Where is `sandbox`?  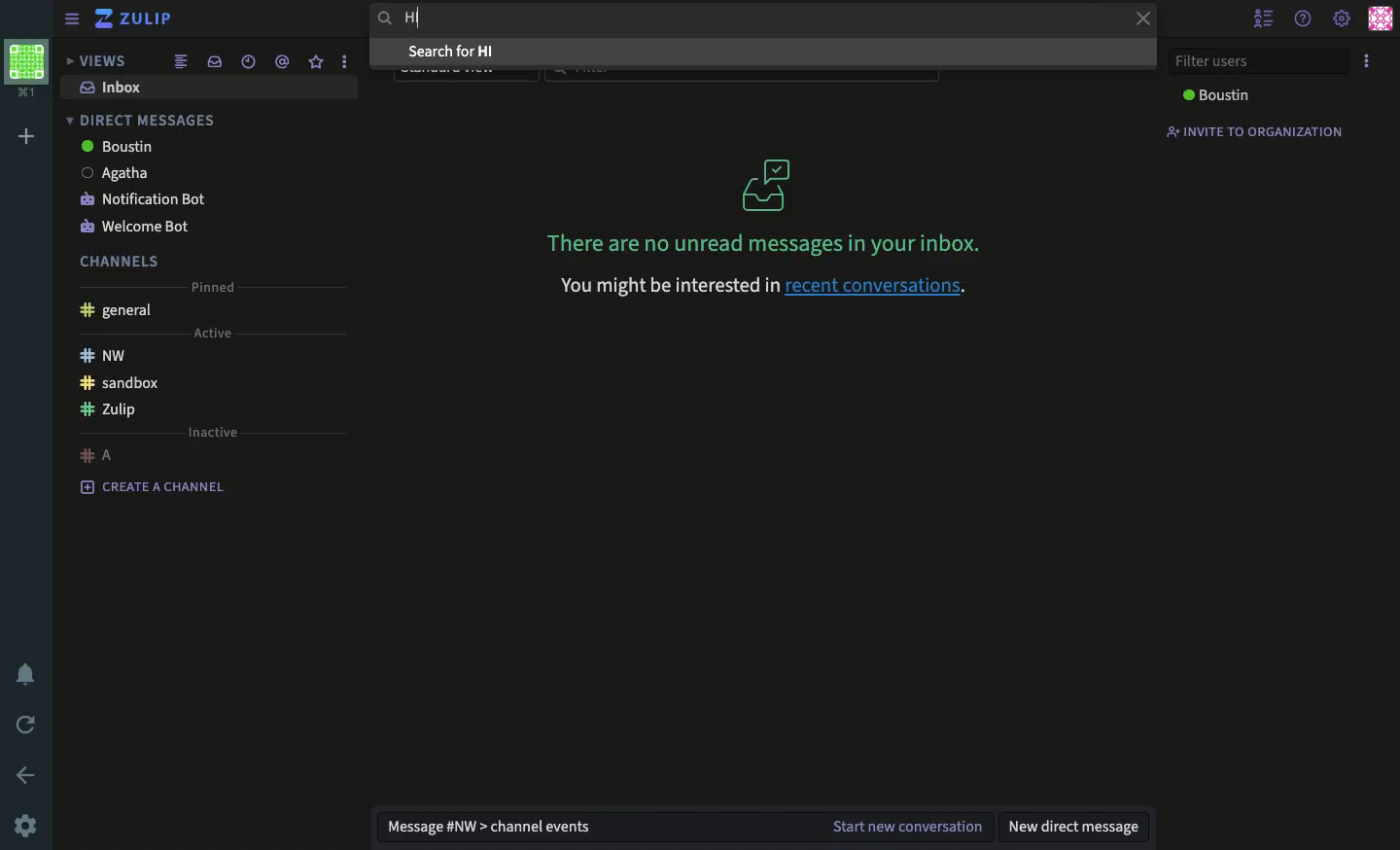 sandbox is located at coordinates (125, 385).